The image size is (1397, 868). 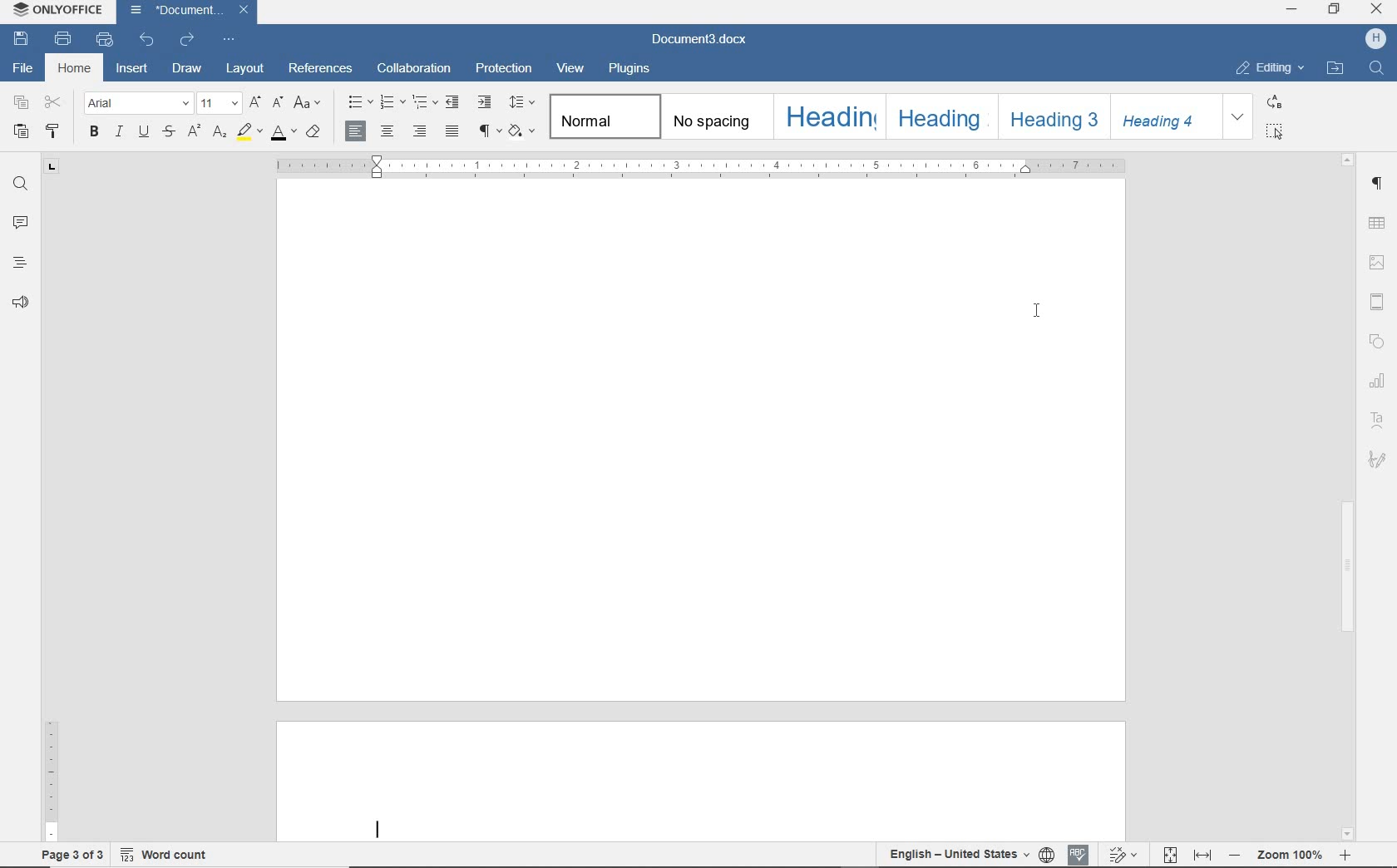 I want to click on HEADING 4, so click(x=1167, y=116).